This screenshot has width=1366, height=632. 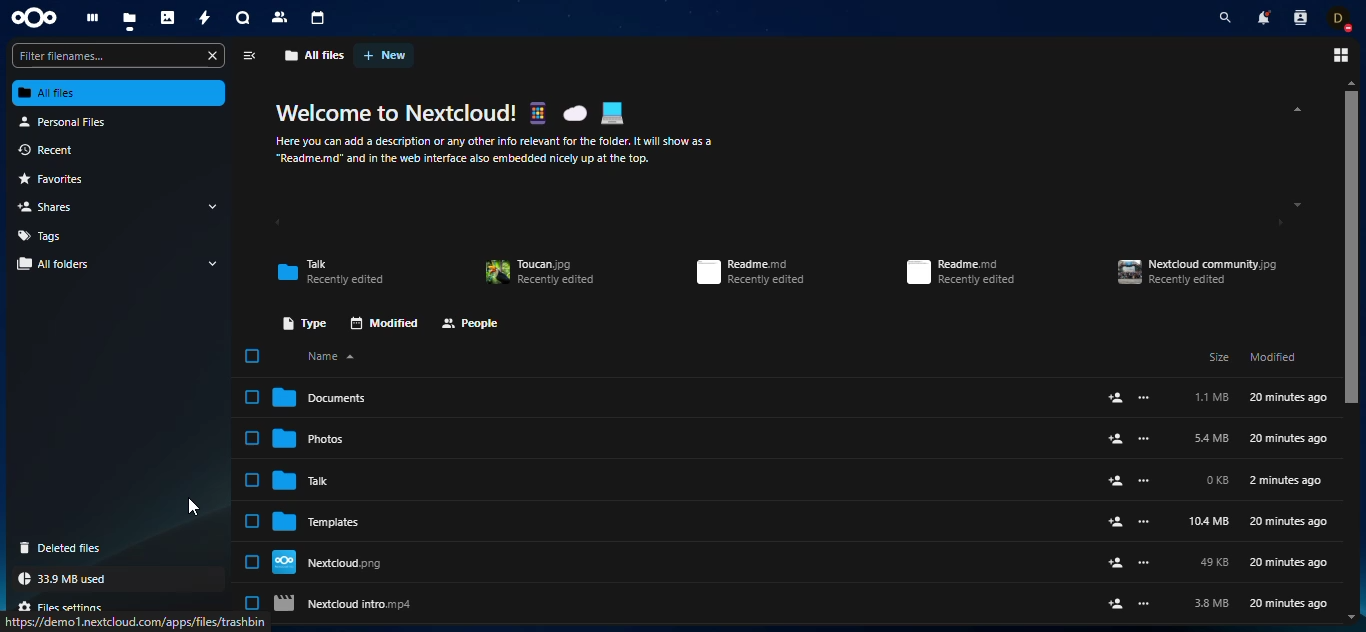 I want to click on Welcome to Nextcloud! Here you can add a description or any other info relevant for the folder, it will show as a "readme.md" and in the web interface also embedded nicely at the top, so click(x=505, y=135).